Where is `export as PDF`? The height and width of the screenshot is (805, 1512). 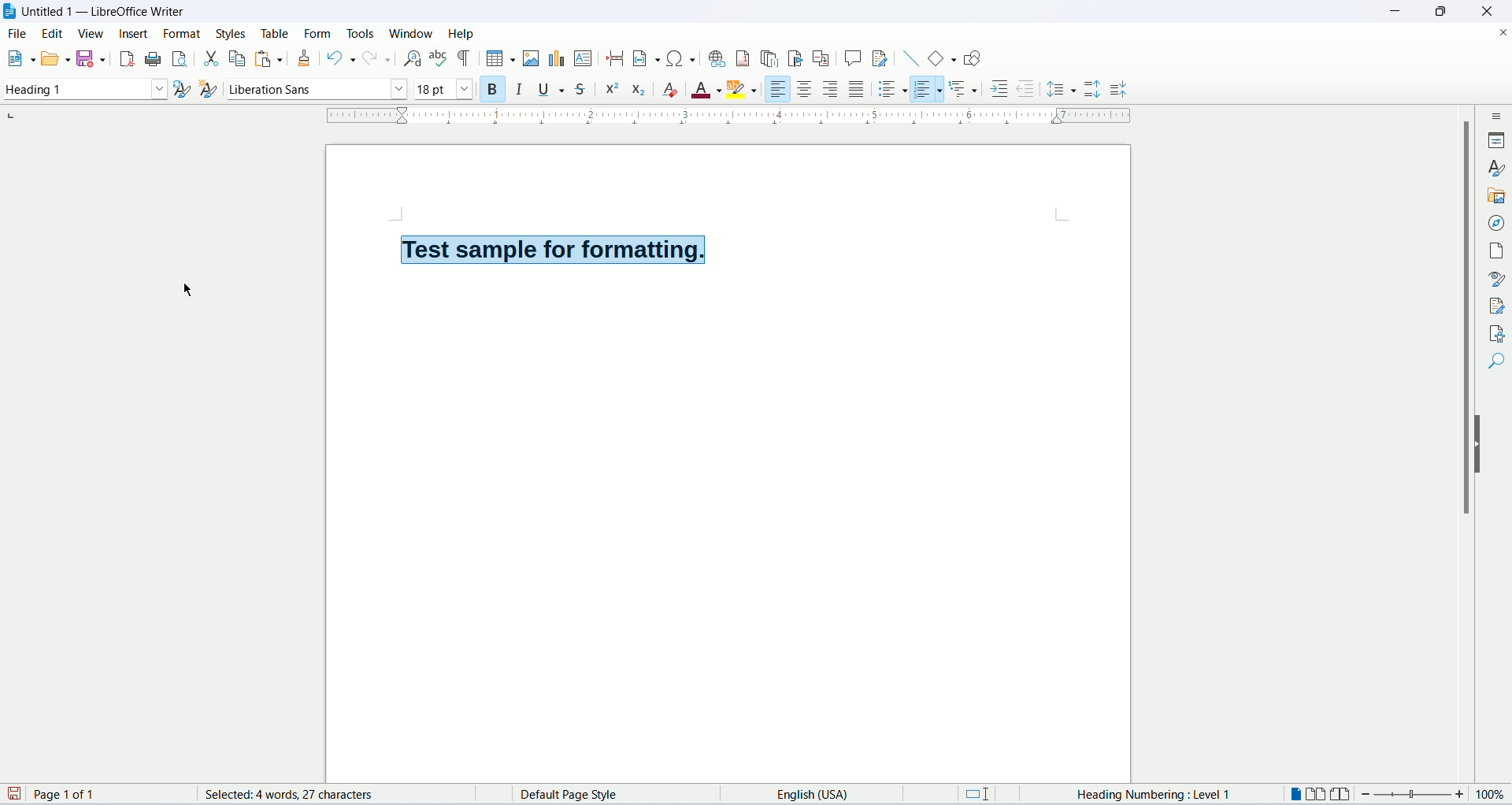
export as PDF is located at coordinates (125, 59).